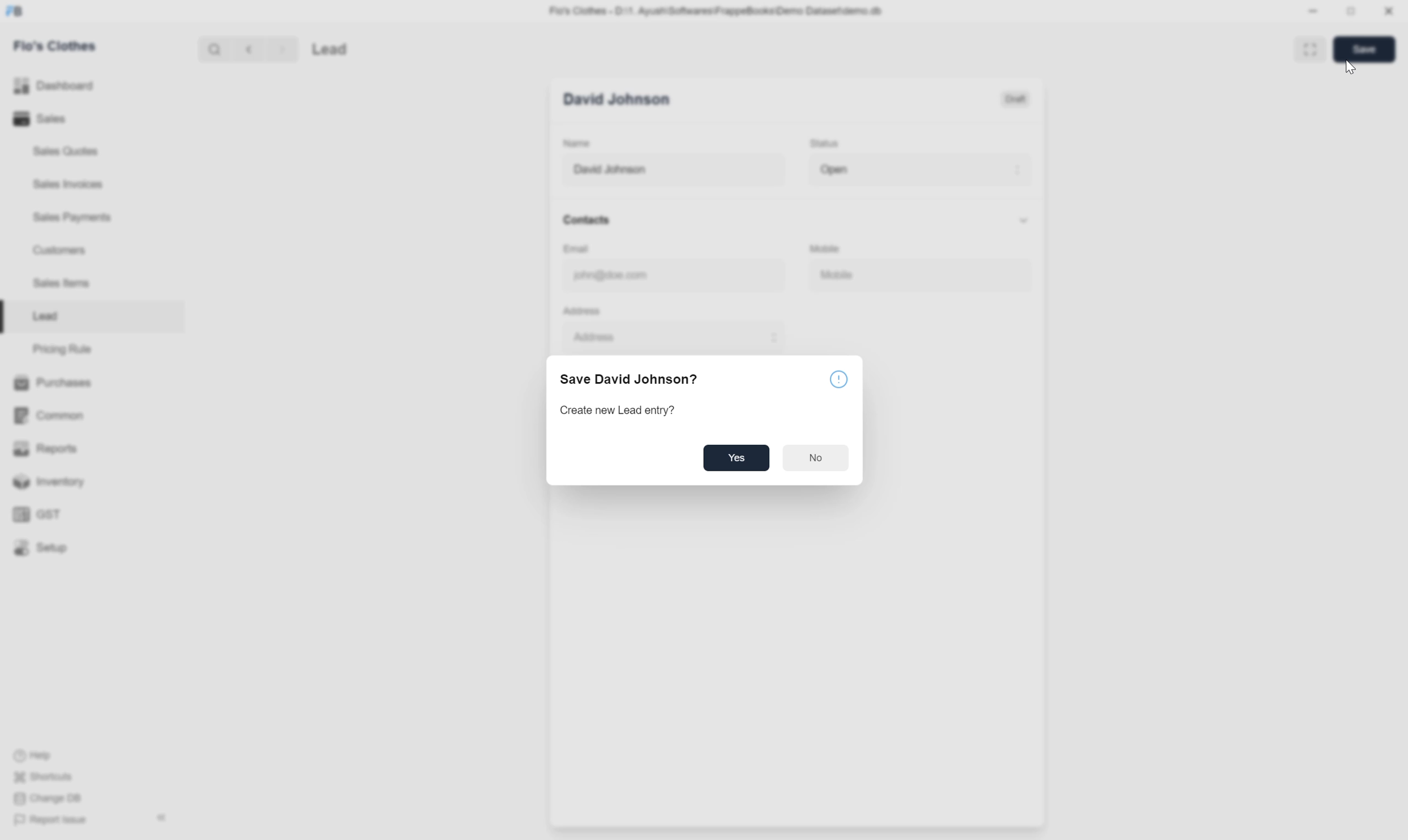 The image size is (1408, 840). Describe the element at coordinates (840, 380) in the screenshot. I see `info` at that location.